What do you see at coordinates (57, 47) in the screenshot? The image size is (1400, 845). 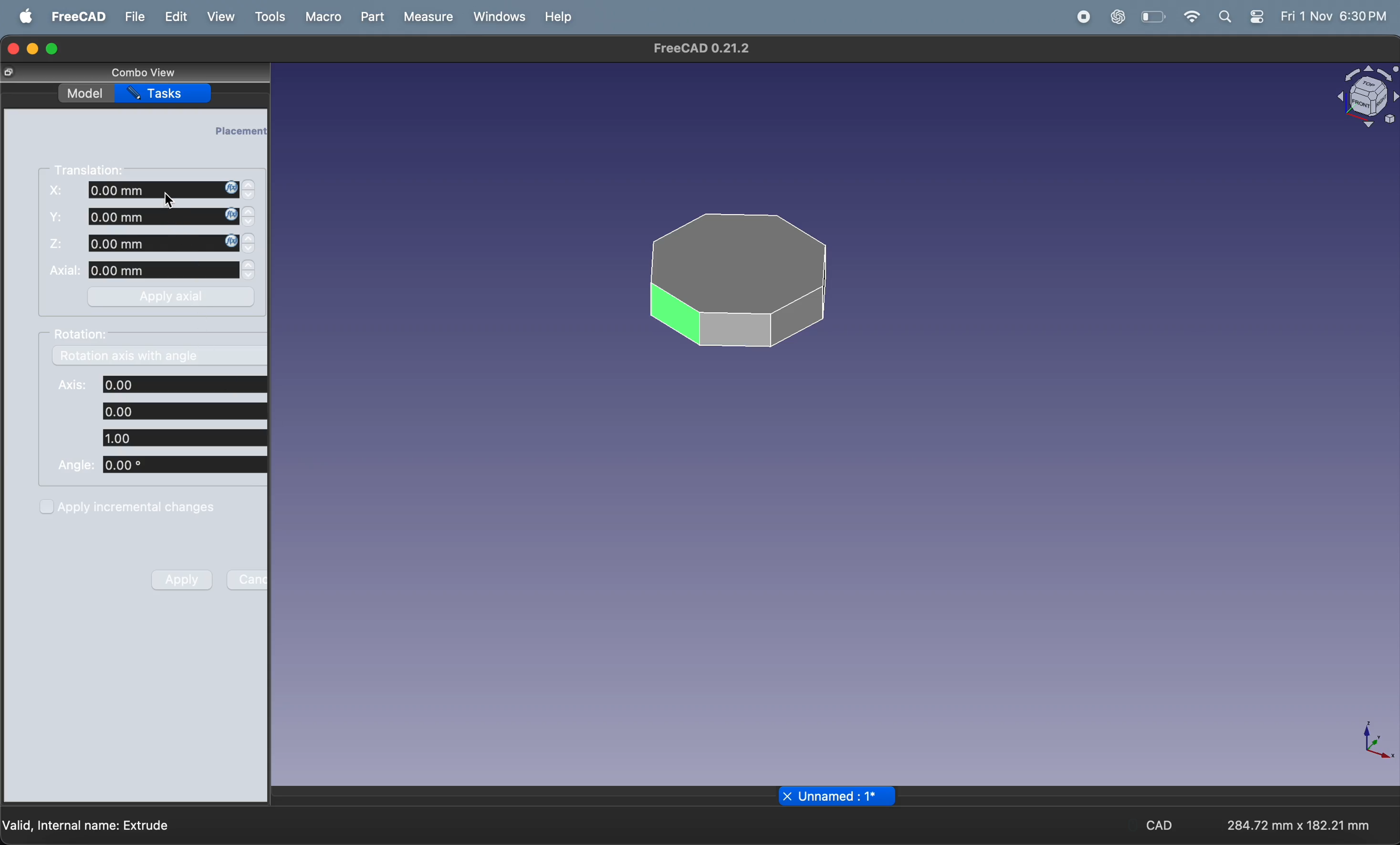 I see `maximize` at bounding box center [57, 47].